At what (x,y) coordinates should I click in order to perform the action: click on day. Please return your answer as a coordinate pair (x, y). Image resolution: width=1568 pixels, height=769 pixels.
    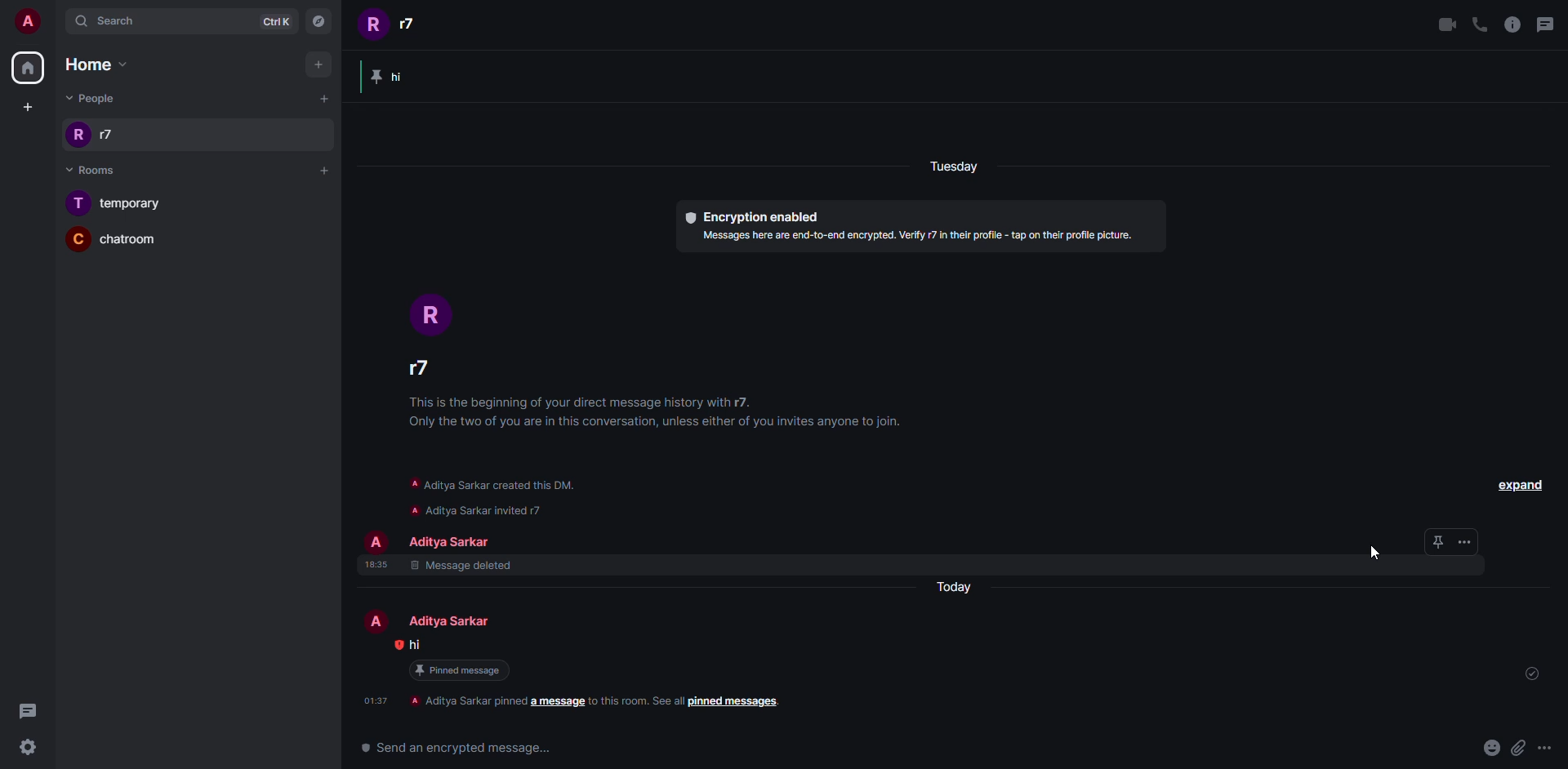
    Looking at the image, I should click on (959, 166).